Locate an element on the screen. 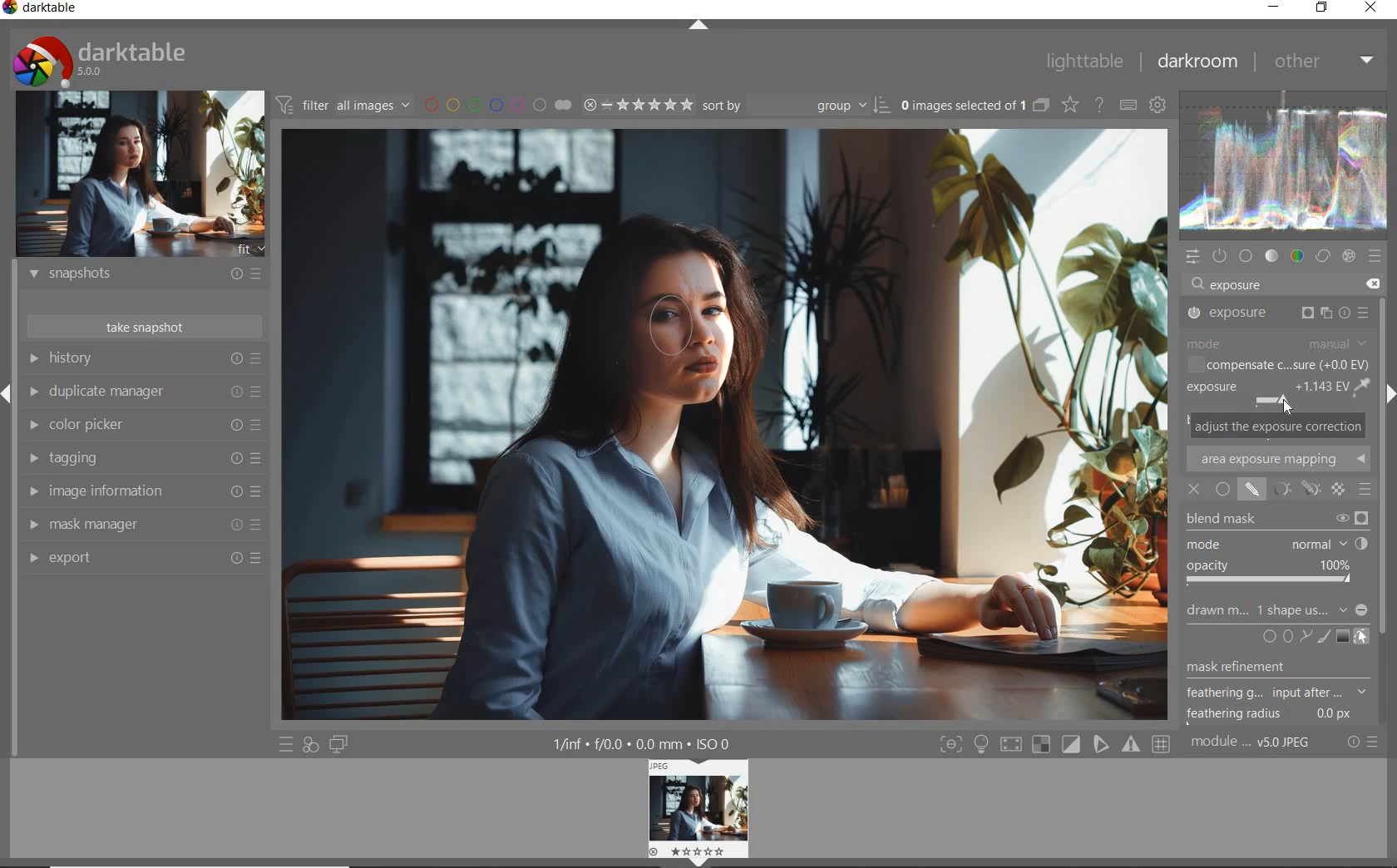 The image size is (1397, 868). image information is located at coordinates (146, 490).